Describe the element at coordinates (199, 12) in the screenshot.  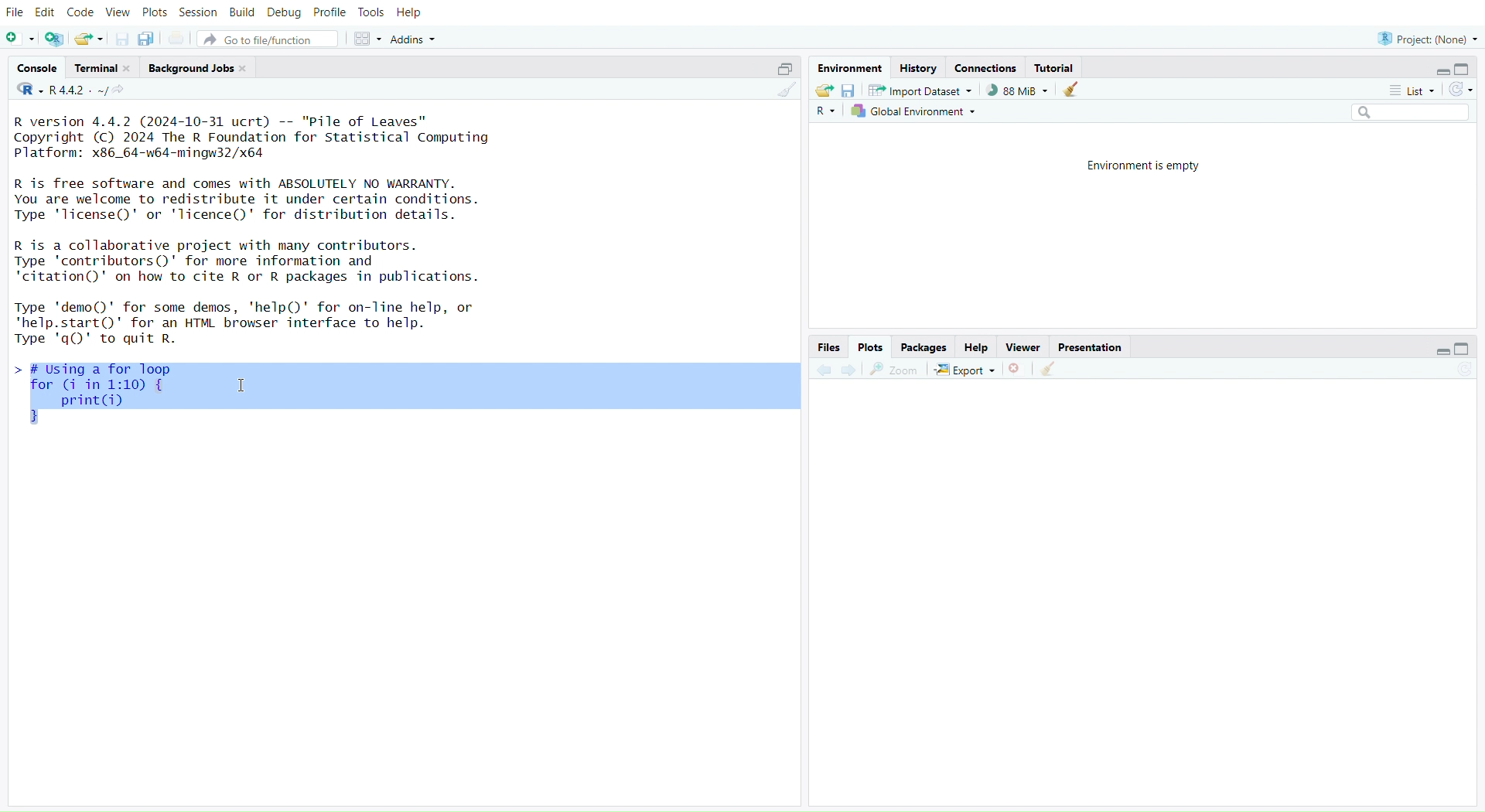
I see `sessions` at that location.